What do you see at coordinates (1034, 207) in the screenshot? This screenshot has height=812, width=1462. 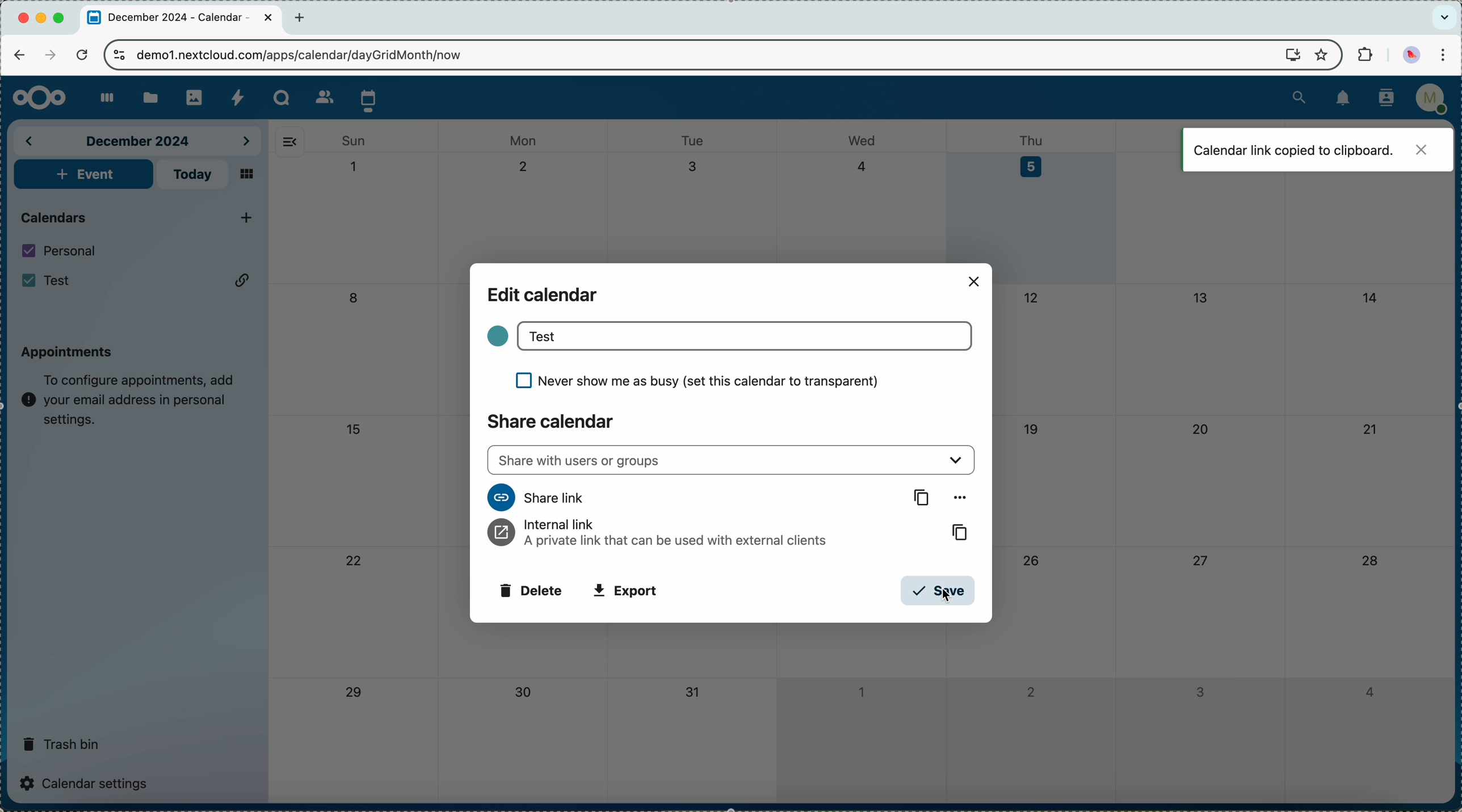 I see `day 5 selected` at bounding box center [1034, 207].